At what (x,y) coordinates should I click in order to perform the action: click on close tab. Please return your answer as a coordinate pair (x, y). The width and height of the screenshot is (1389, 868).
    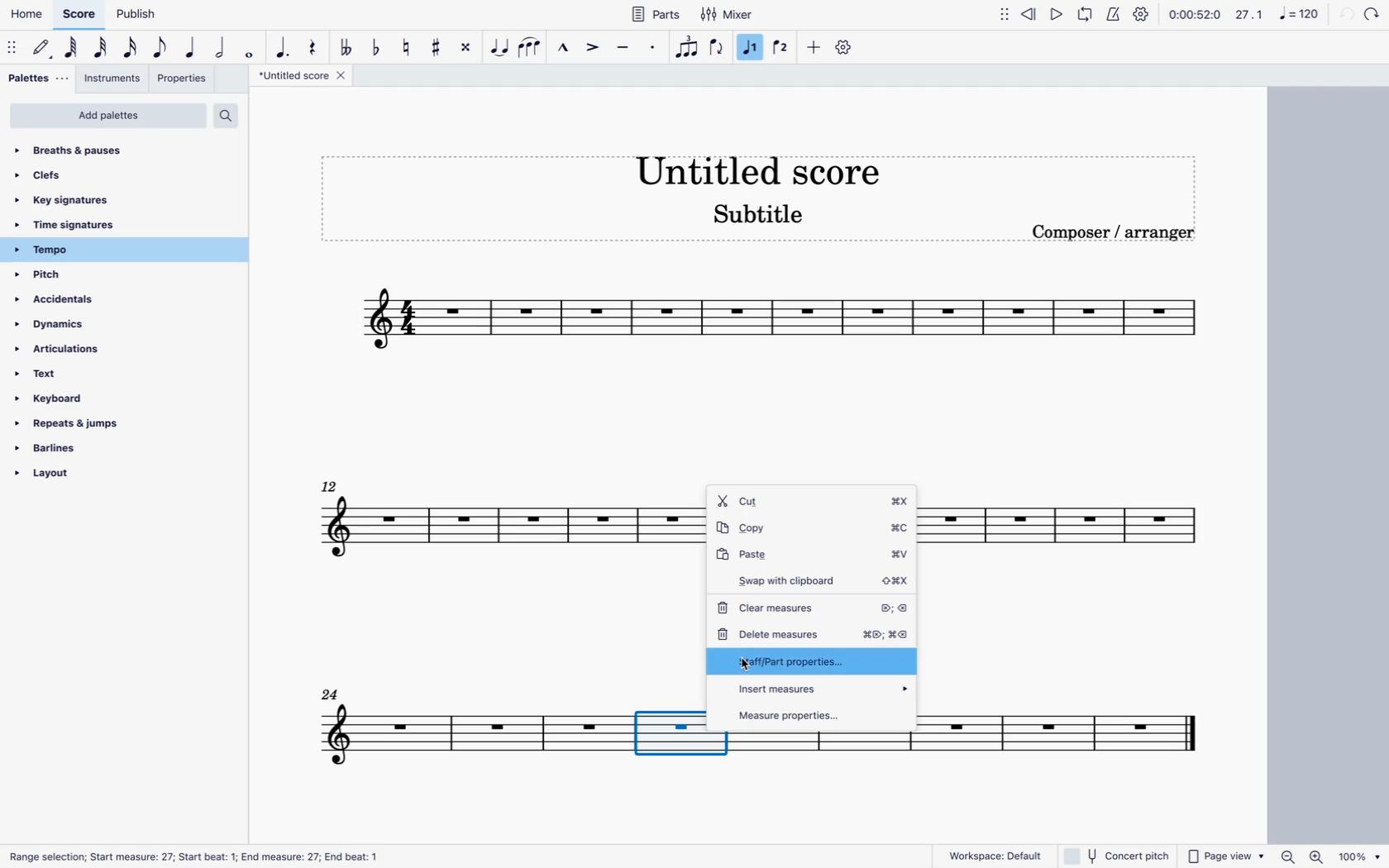
    Looking at the image, I should click on (341, 75).